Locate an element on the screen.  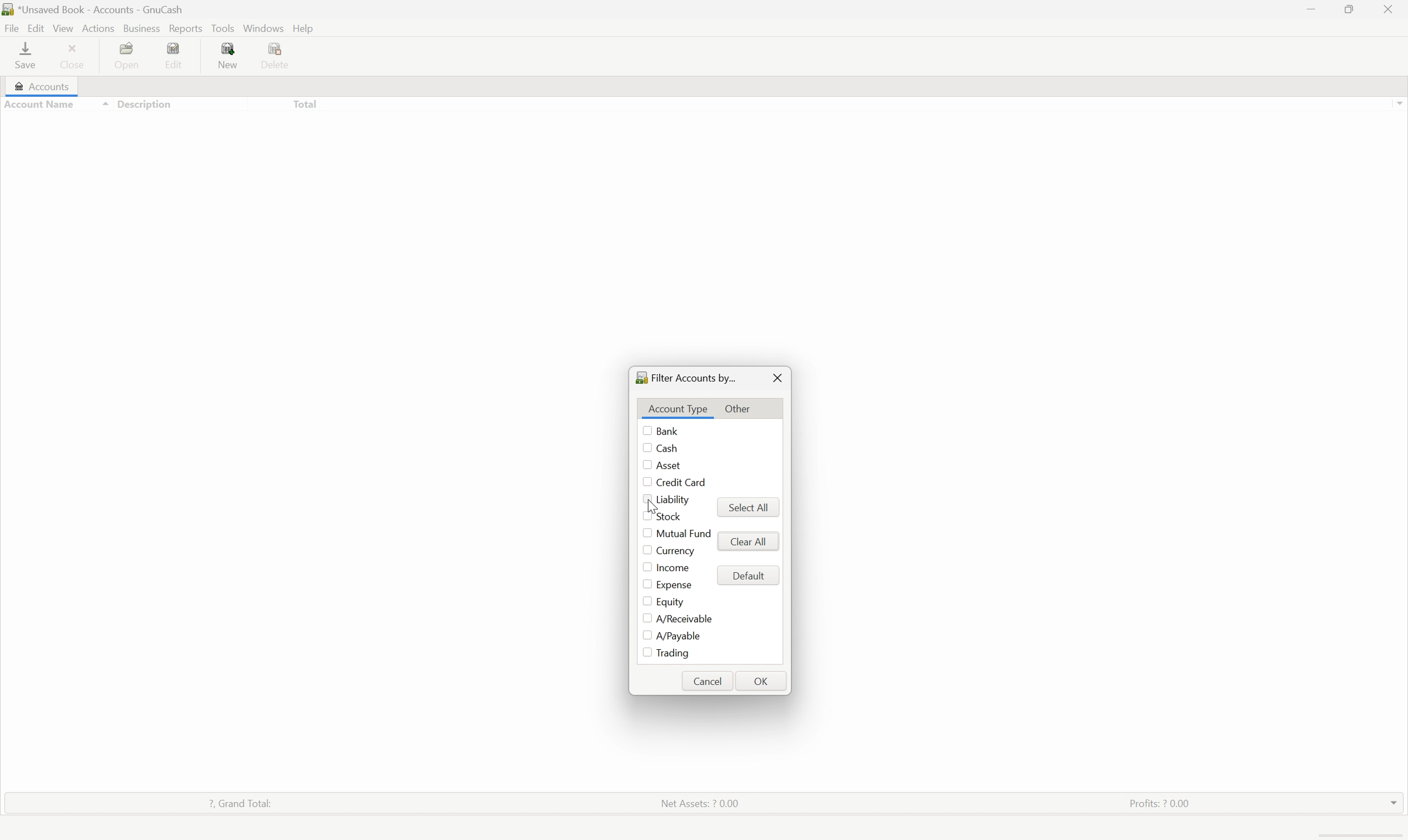
Minimize is located at coordinates (1311, 10).